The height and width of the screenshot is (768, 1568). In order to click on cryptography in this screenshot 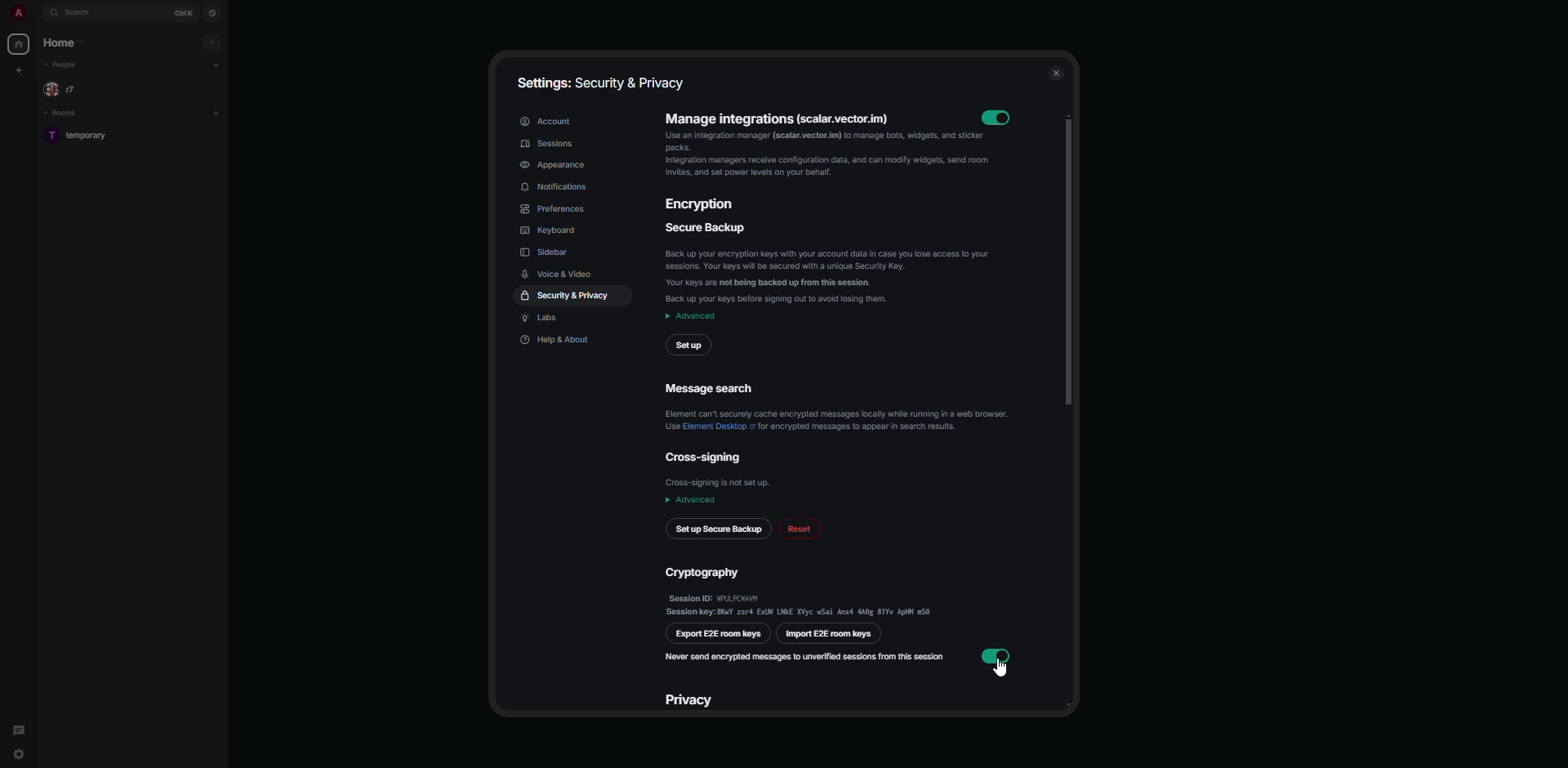, I will do `click(800, 590)`.